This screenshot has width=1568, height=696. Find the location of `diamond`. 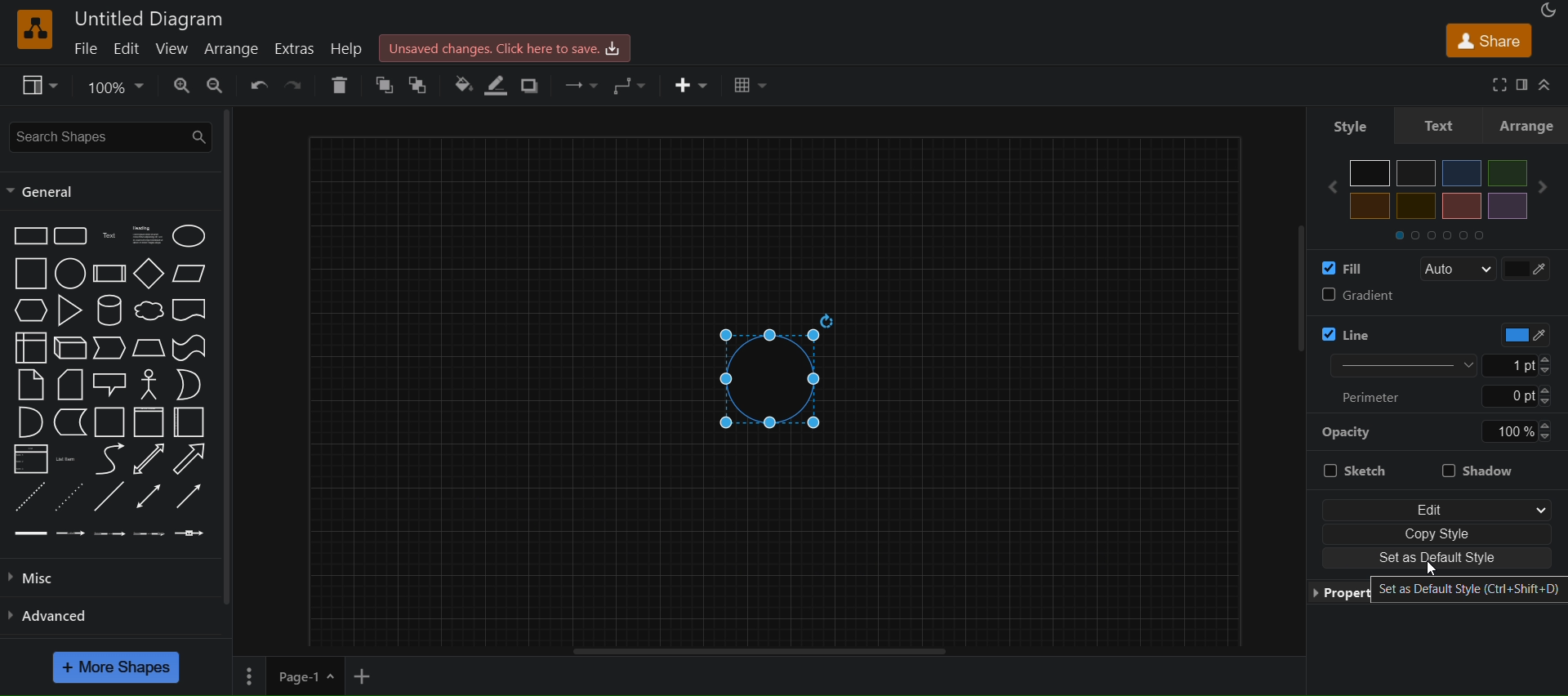

diamond is located at coordinates (149, 275).